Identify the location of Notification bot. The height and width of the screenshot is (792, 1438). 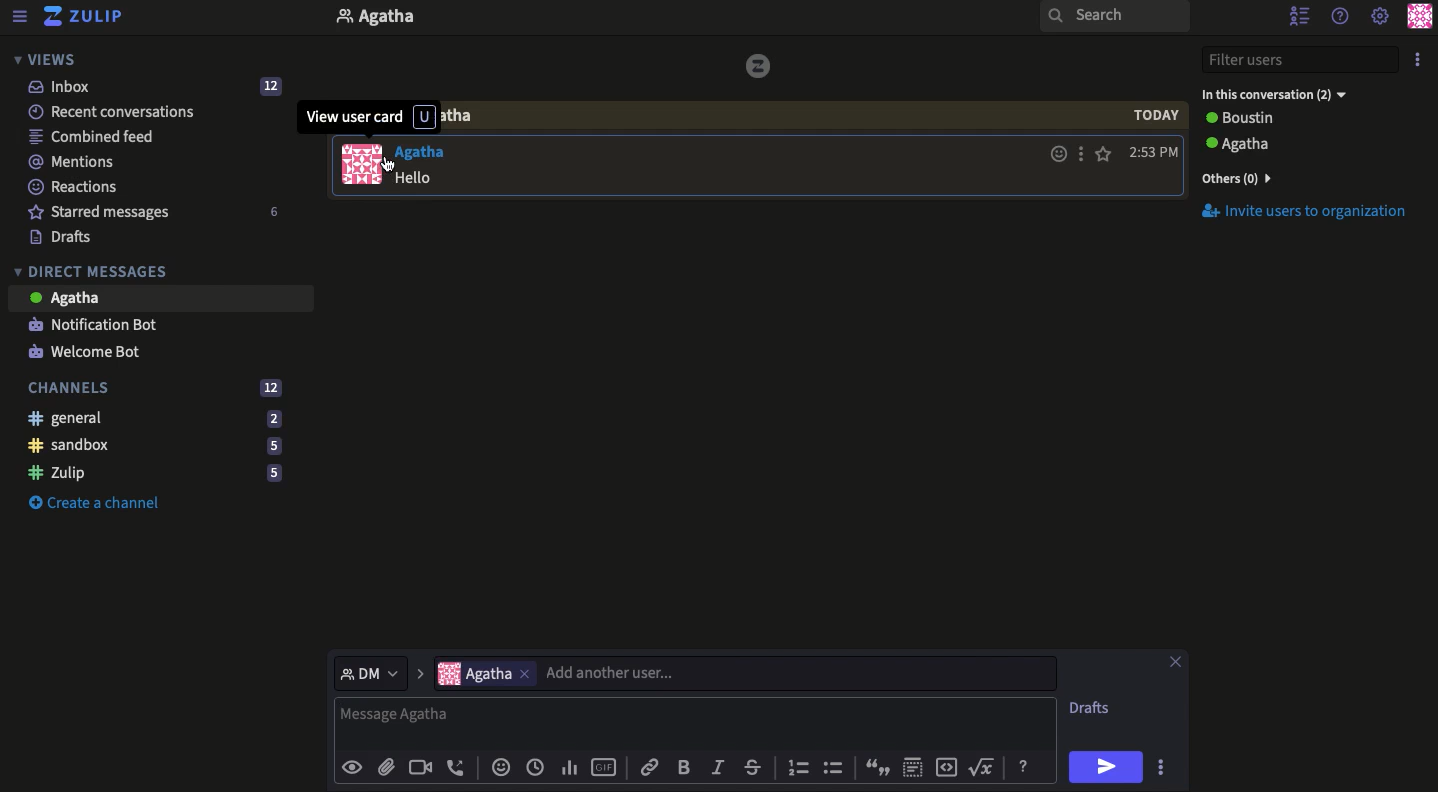
(98, 324).